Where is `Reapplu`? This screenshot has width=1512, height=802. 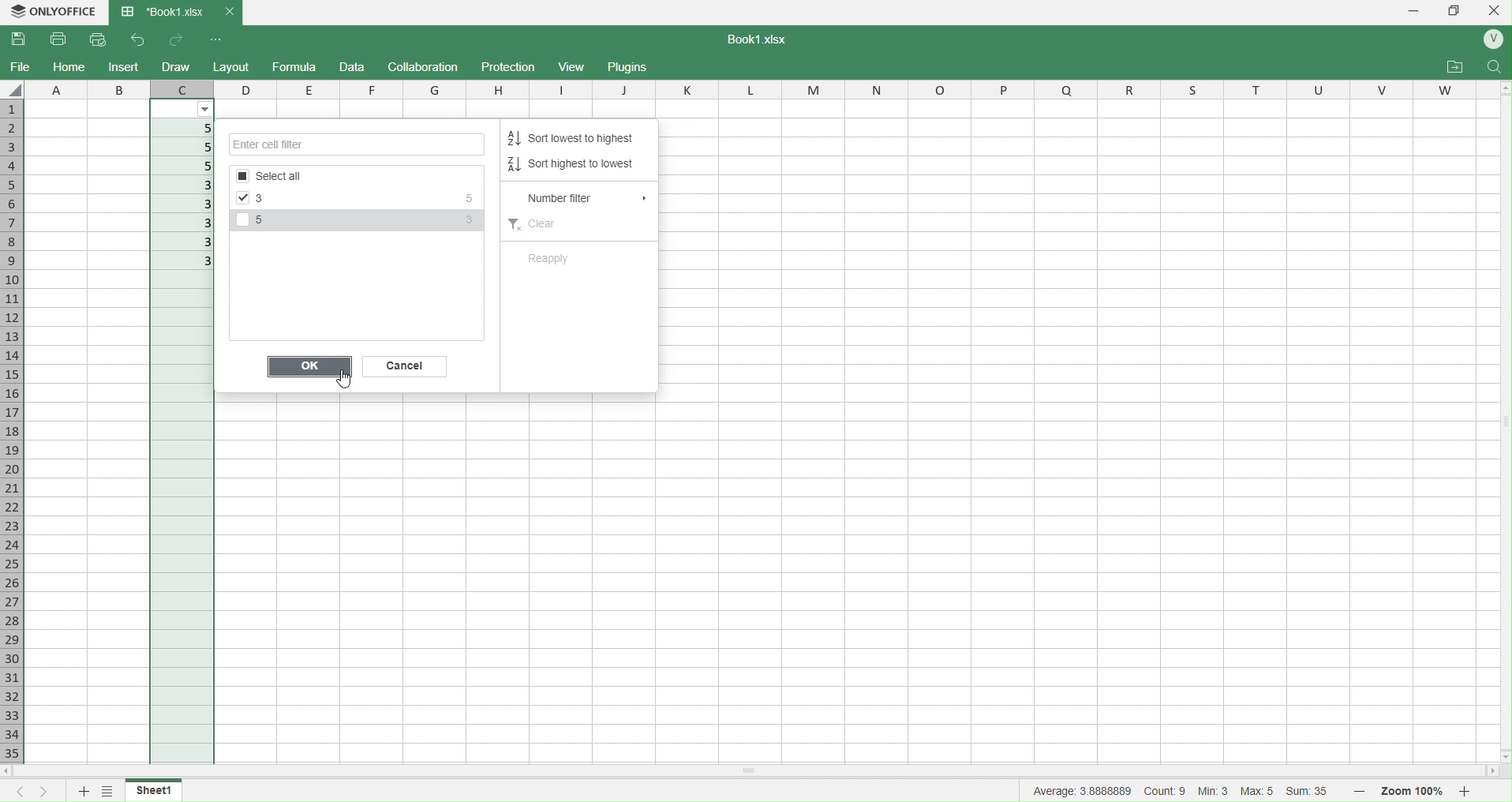 Reapplu is located at coordinates (548, 258).